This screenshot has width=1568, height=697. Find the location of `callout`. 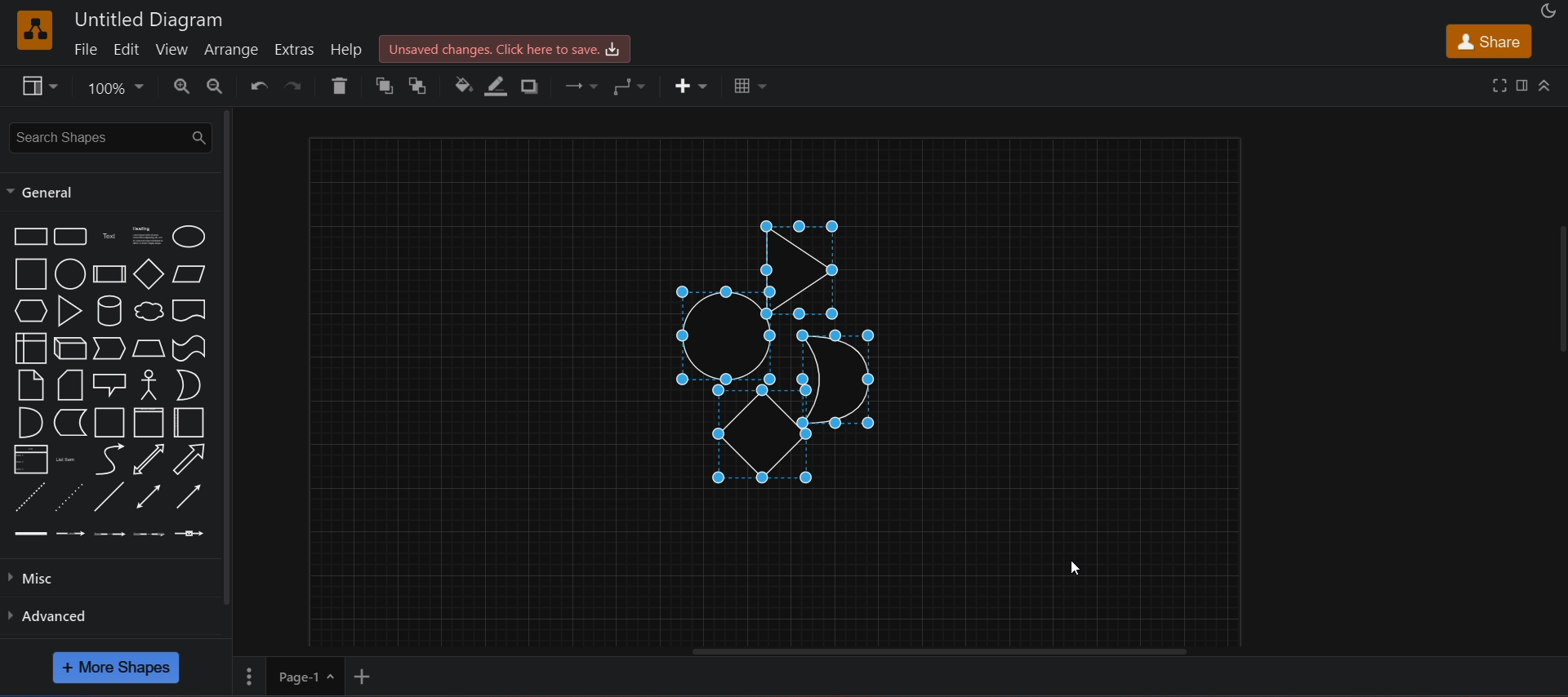

callout is located at coordinates (109, 383).